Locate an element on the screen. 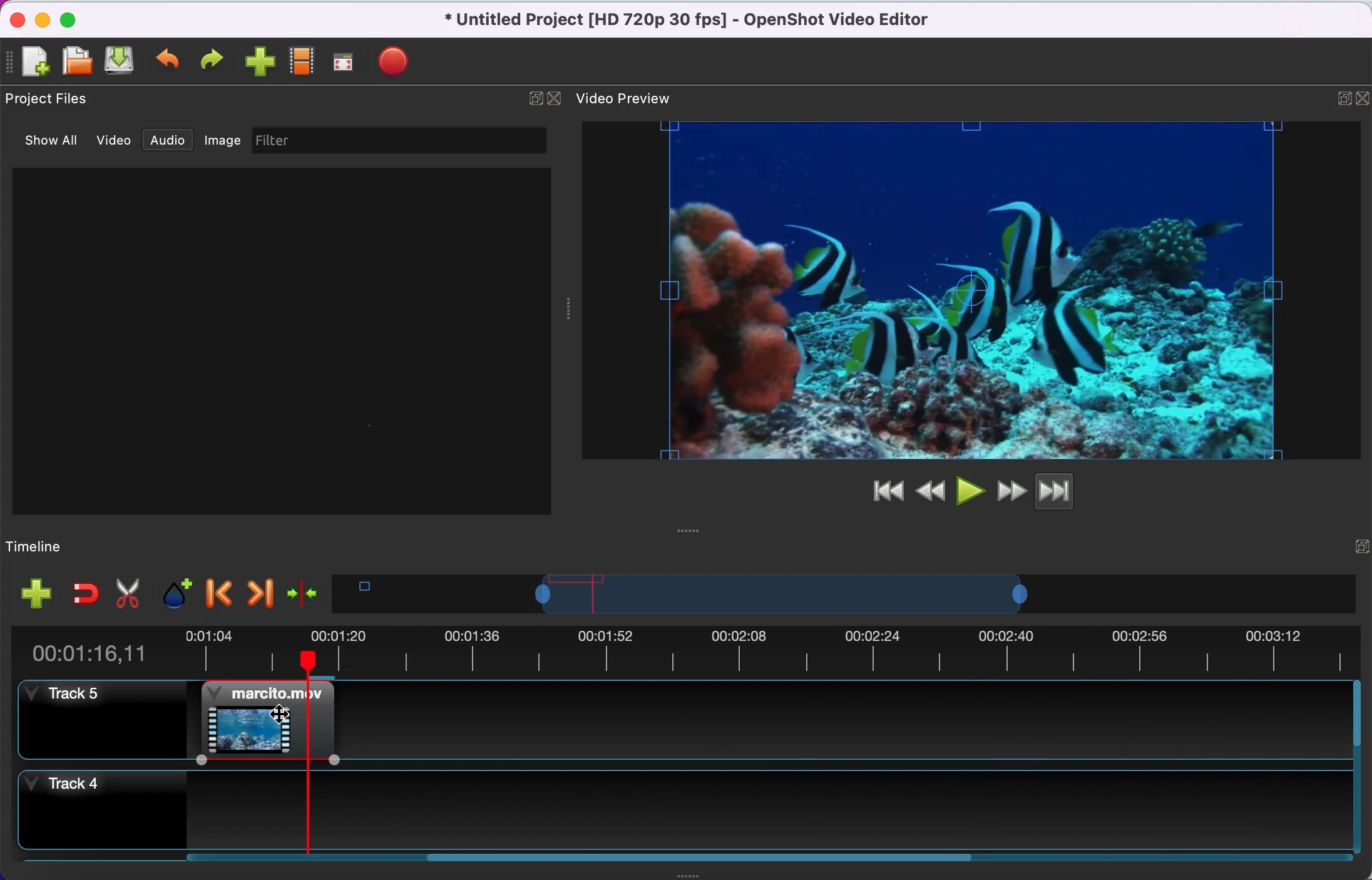  import file is located at coordinates (260, 63).